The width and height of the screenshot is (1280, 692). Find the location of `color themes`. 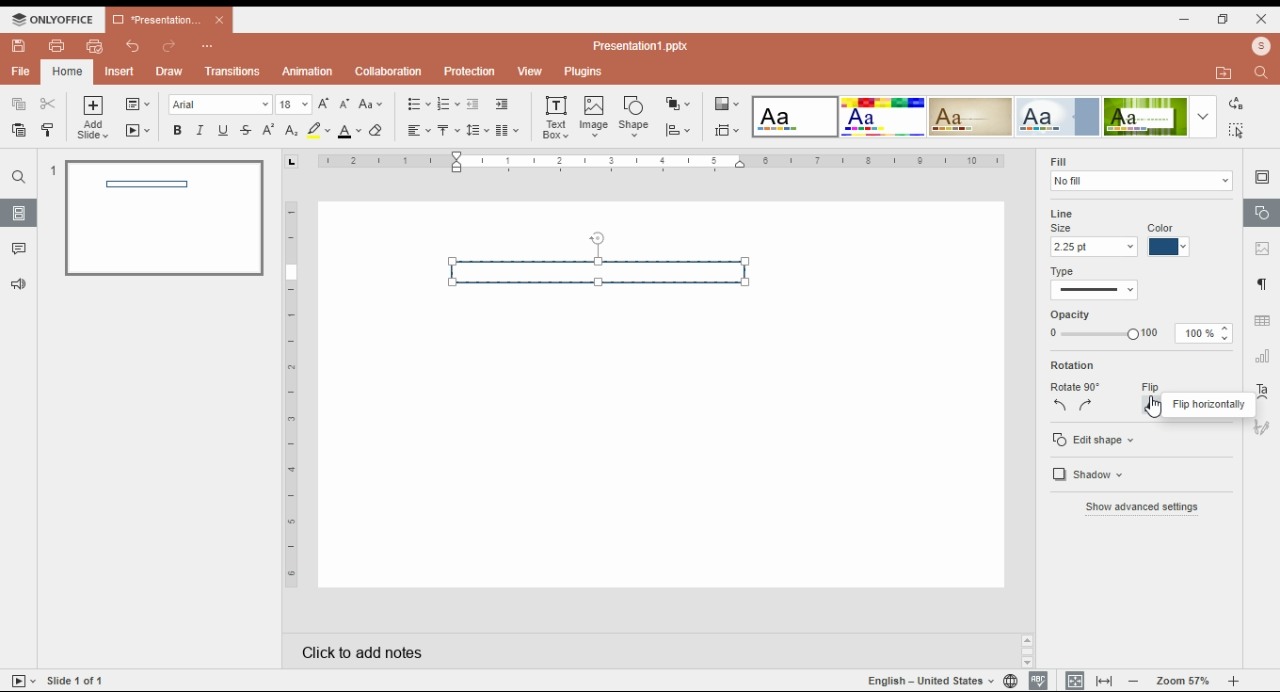

color themes is located at coordinates (726, 104).